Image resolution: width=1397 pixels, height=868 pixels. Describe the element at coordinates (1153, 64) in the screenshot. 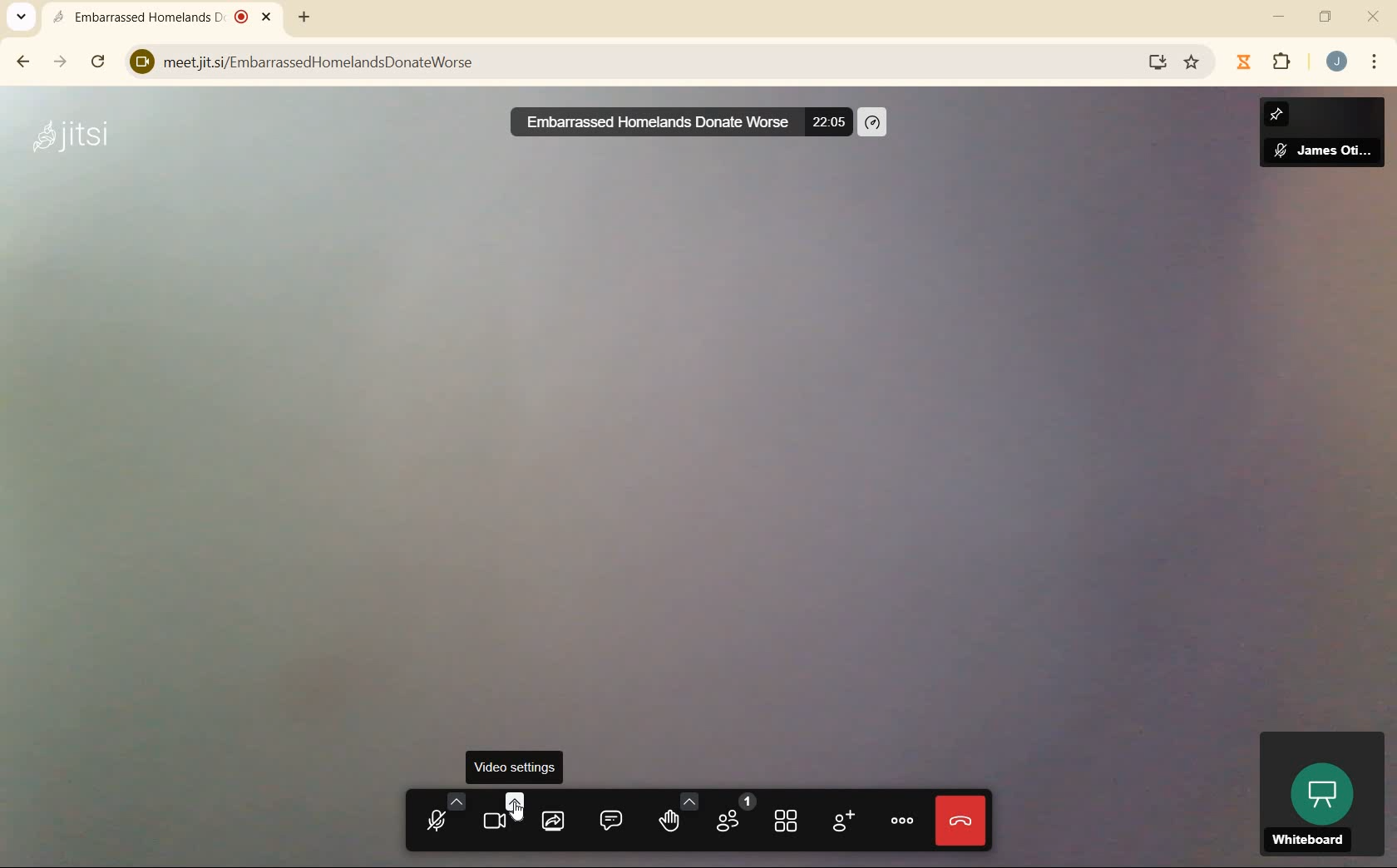

I see `install` at that location.